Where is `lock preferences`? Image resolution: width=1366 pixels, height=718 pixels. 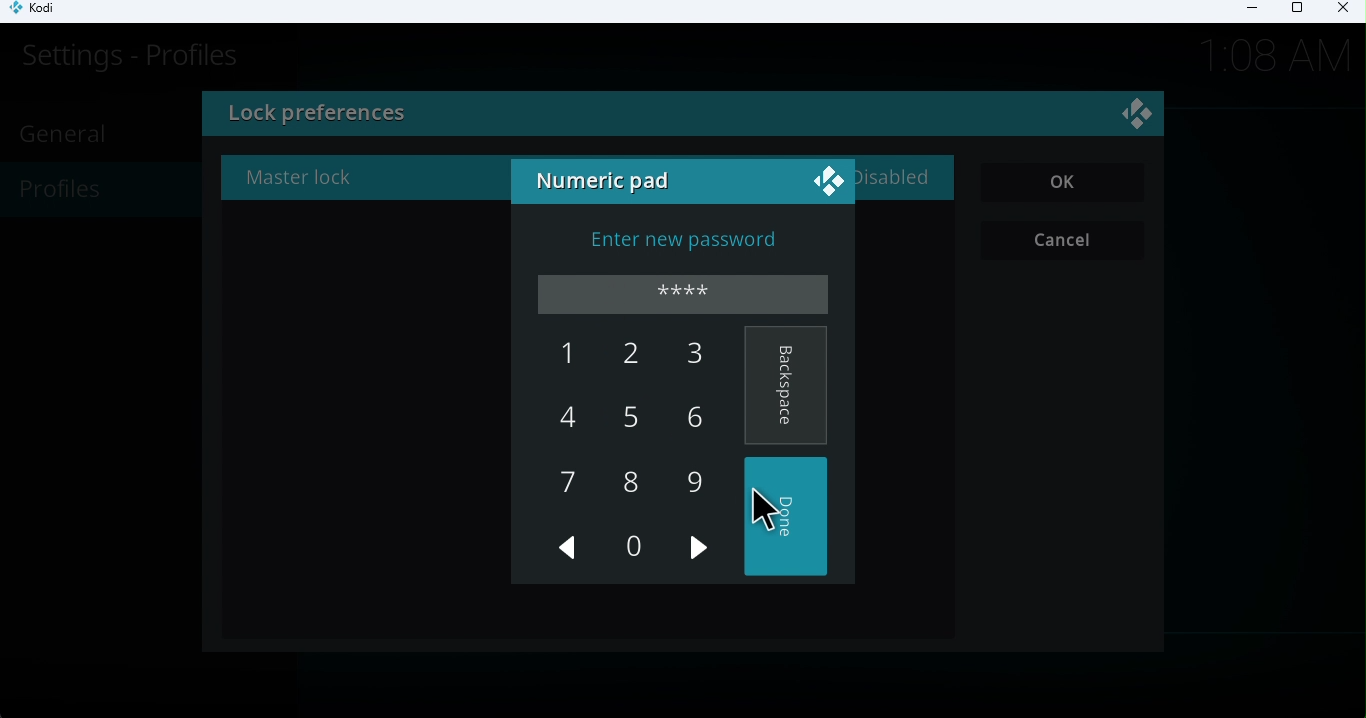 lock preferences is located at coordinates (470, 116).